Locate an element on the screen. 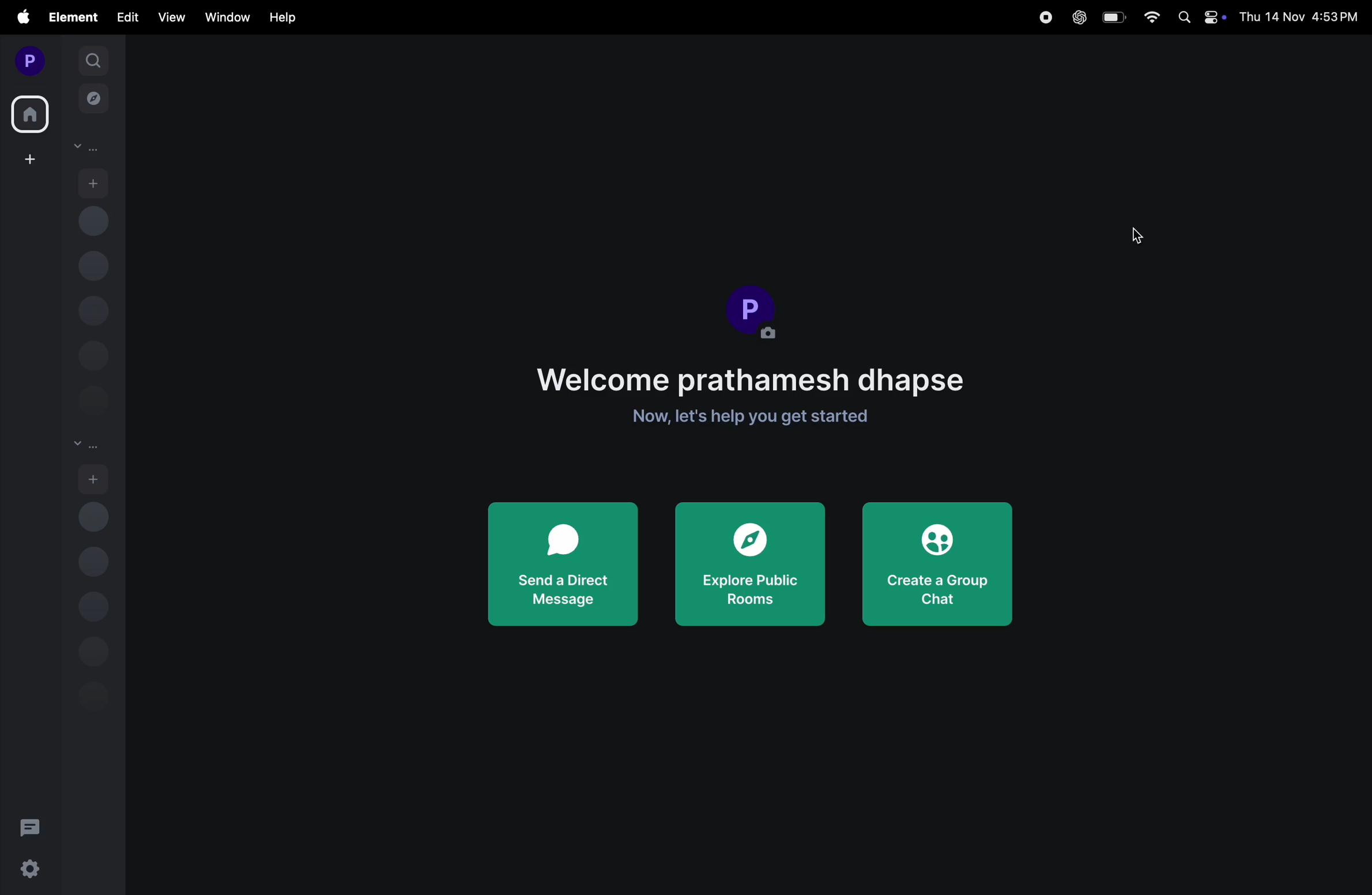 This screenshot has width=1372, height=895. apple widgets is located at coordinates (1215, 17).